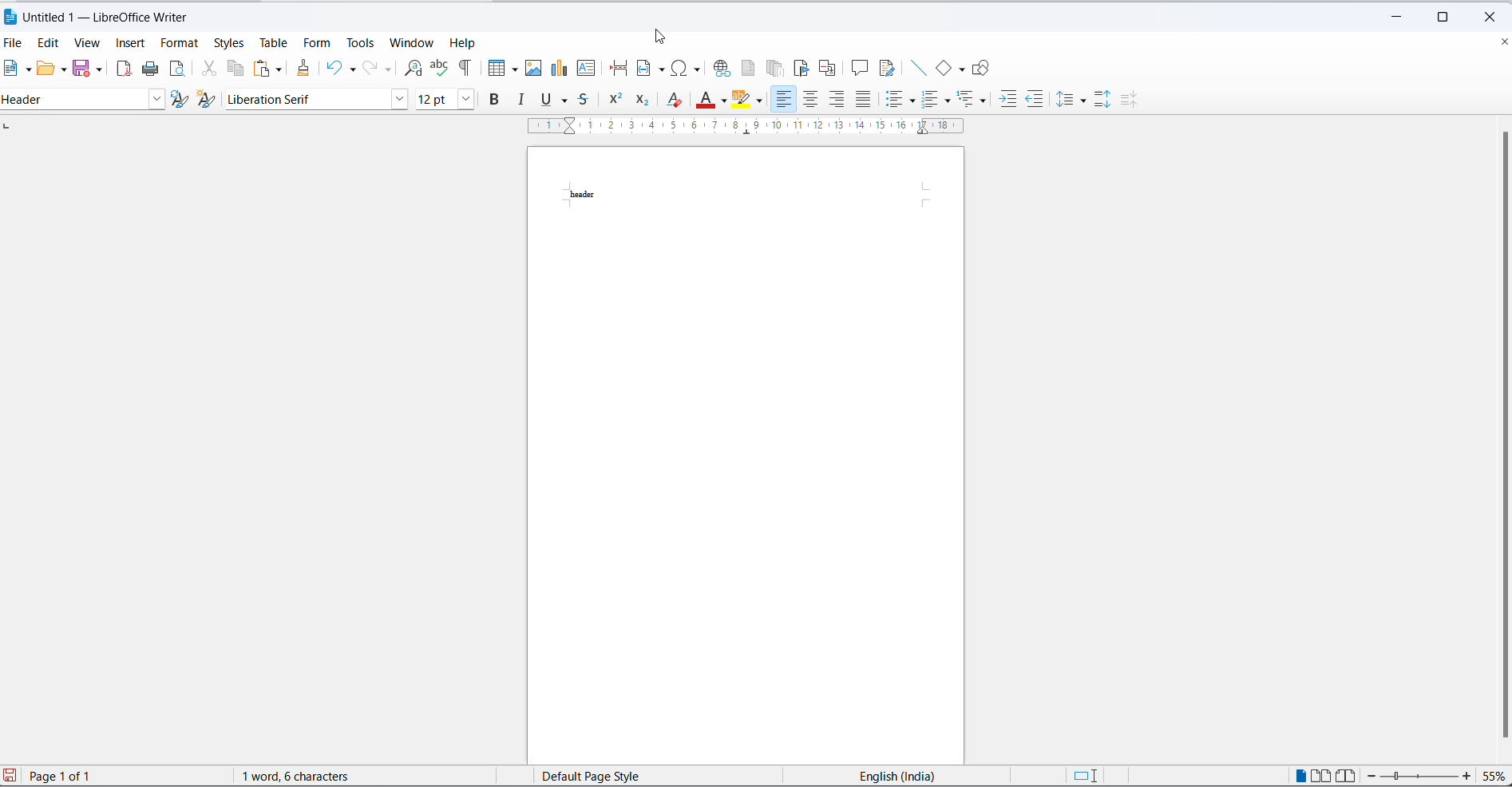 The height and width of the screenshot is (787, 1512). Describe the element at coordinates (860, 69) in the screenshot. I see `insert comments` at that location.